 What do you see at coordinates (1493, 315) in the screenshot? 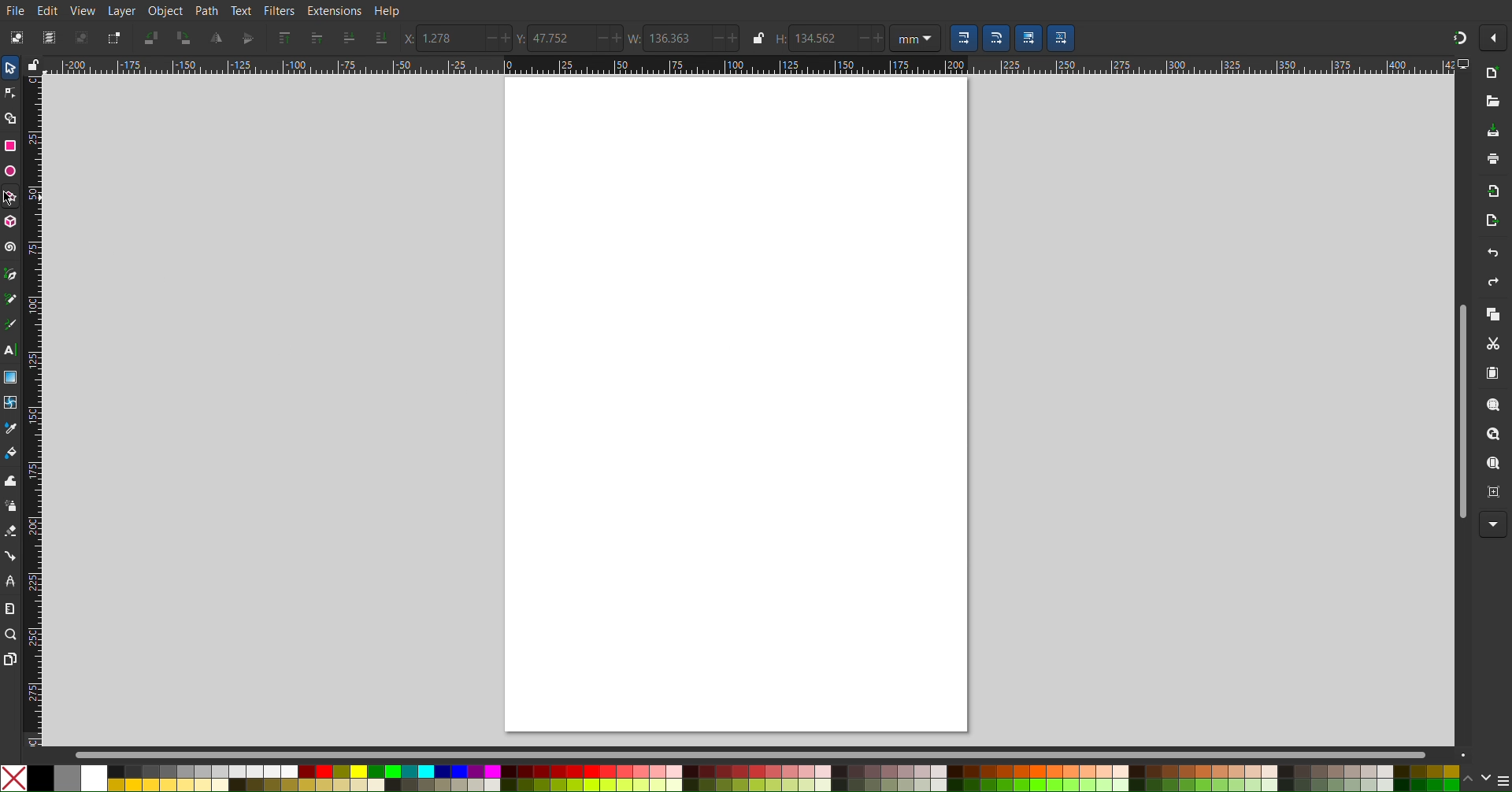
I see `Copy` at bounding box center [1493, 315].